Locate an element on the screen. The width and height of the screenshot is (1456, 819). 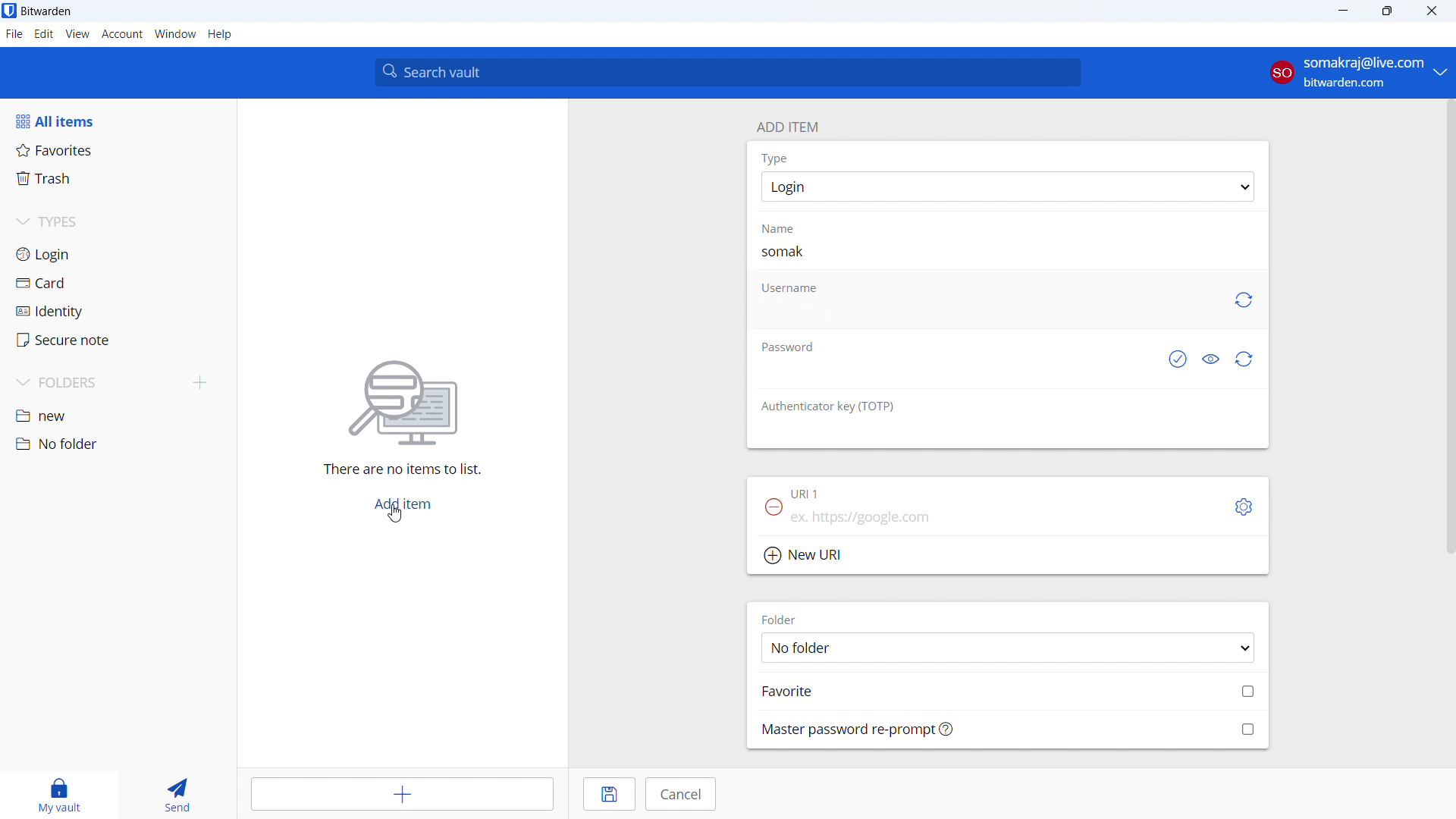
select item type is located at coordinates (1008, 187).